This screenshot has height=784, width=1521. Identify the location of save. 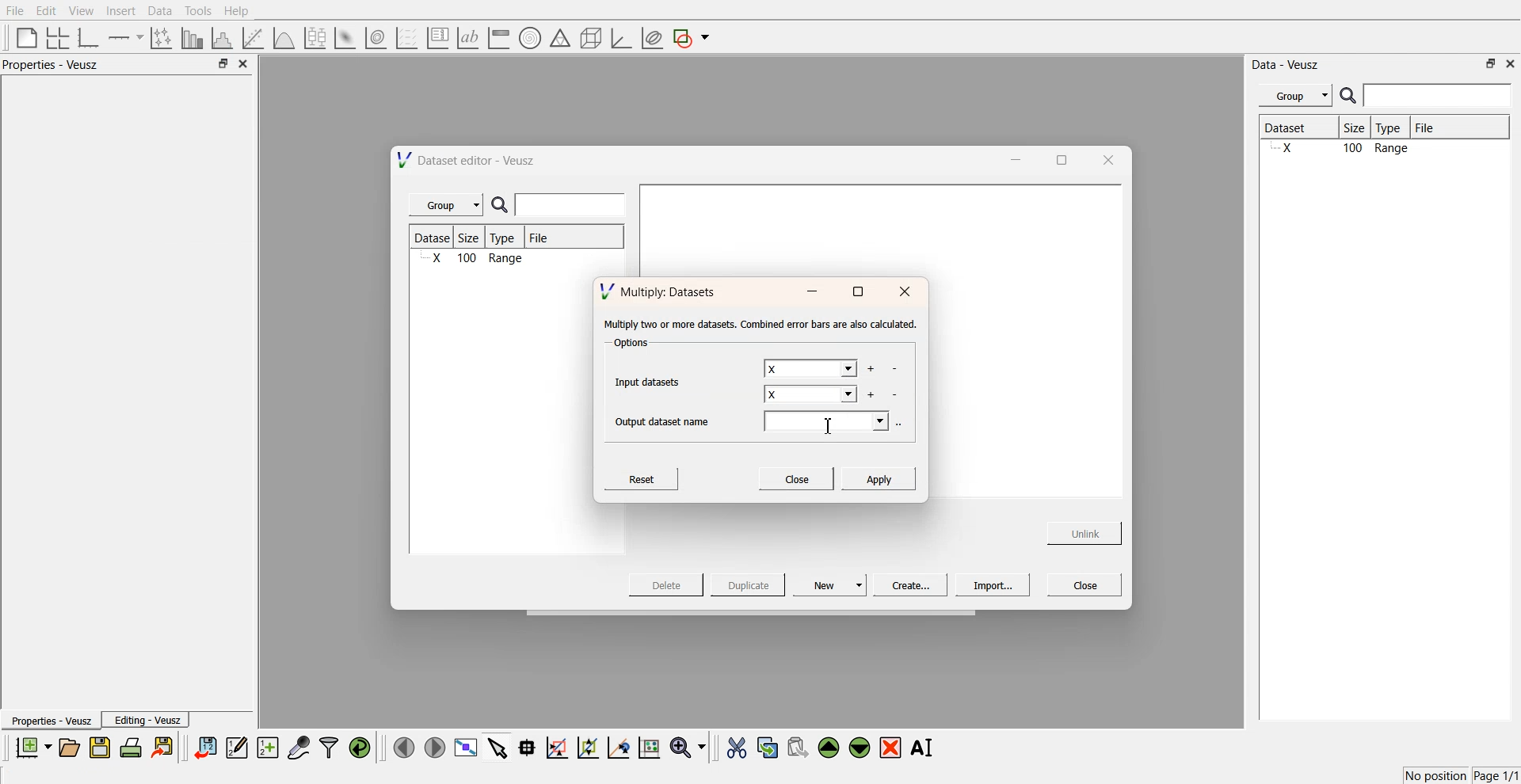
(102, 748).